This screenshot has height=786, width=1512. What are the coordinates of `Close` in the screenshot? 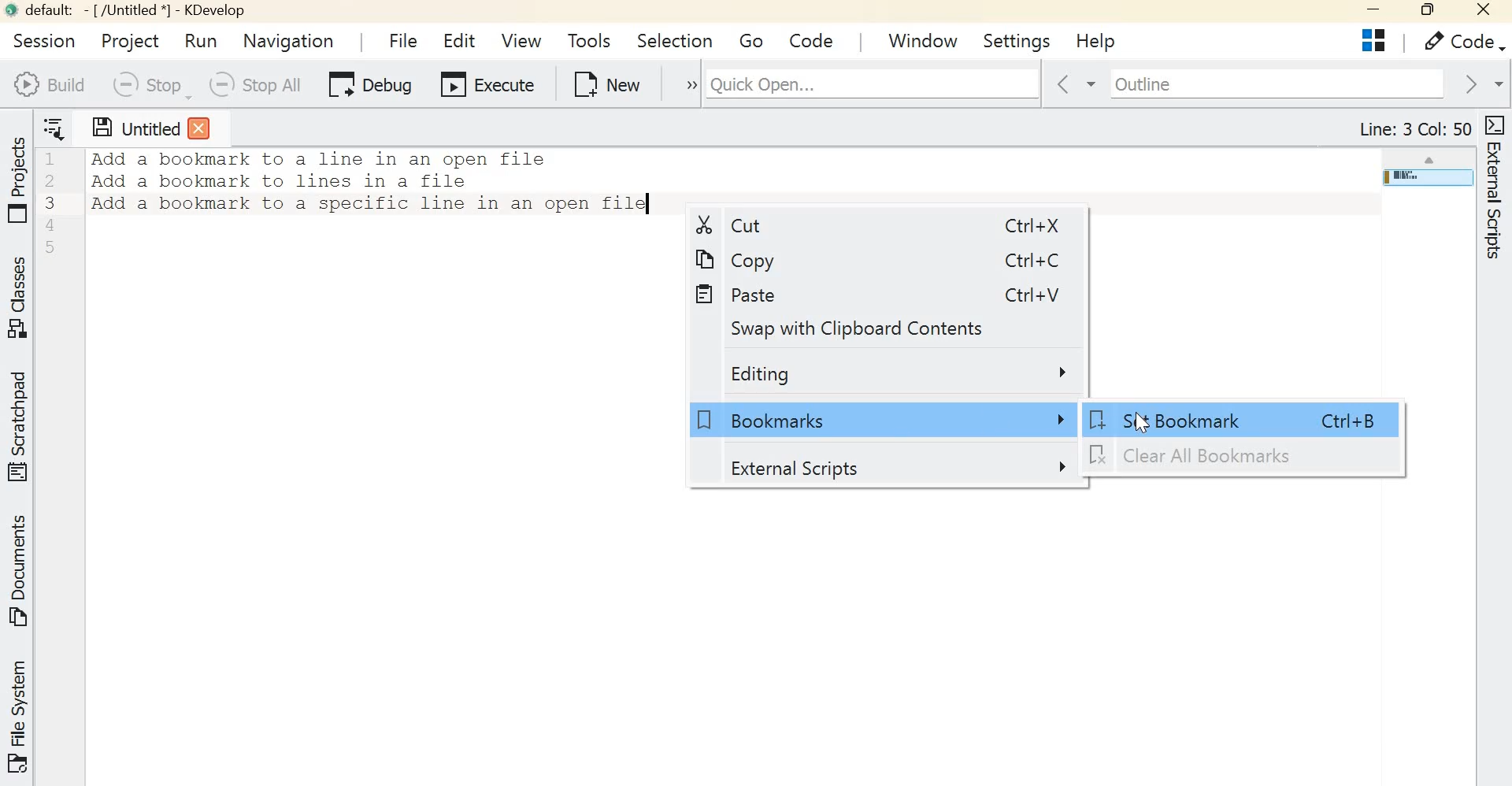 It's located at (1485, 12).